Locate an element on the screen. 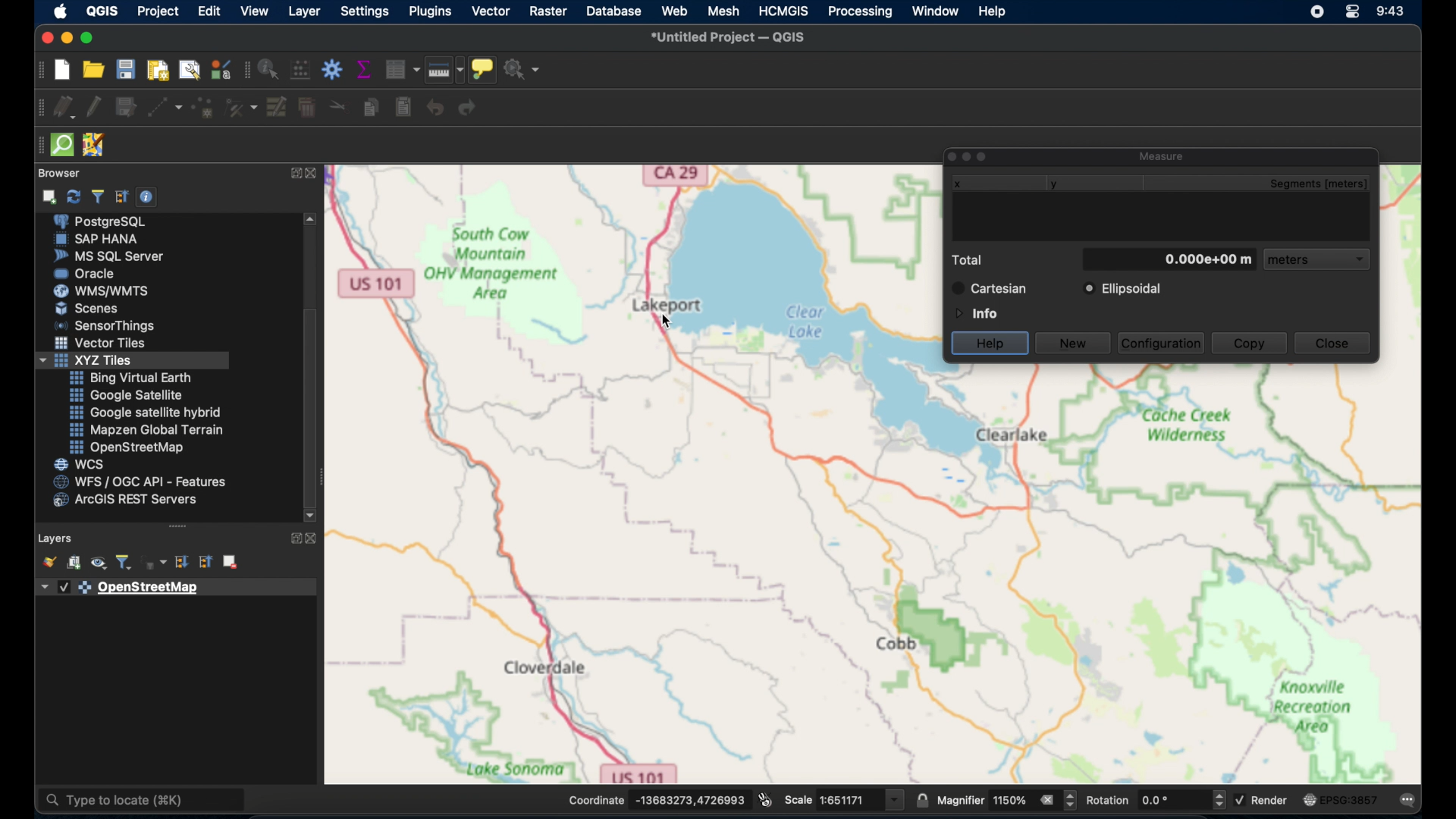  new print layout is located at coordinates (160, 70).